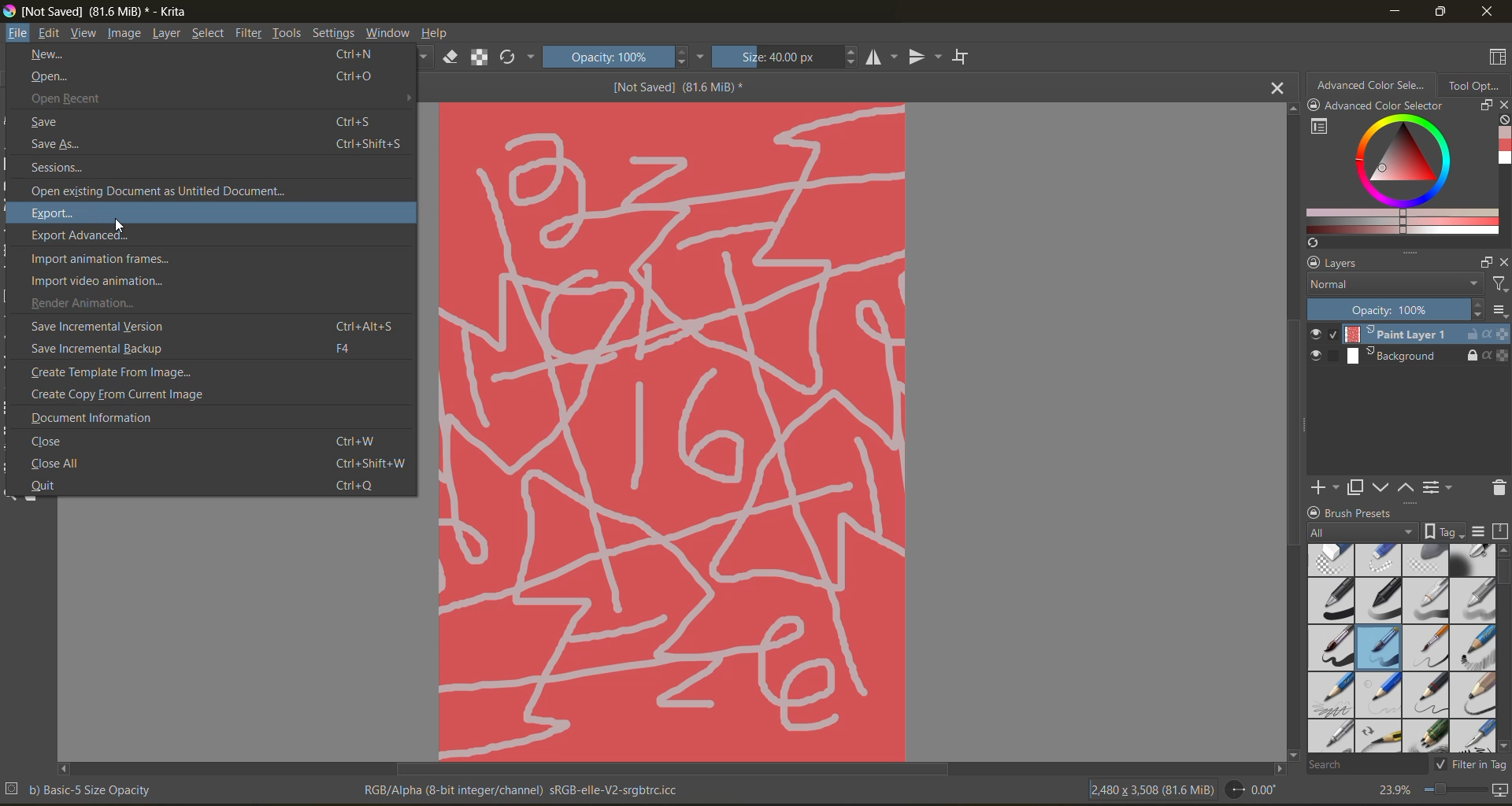 Image resolution: width=1512 pixels, height=806 pixels. I want to click on new, so click(201, 56).